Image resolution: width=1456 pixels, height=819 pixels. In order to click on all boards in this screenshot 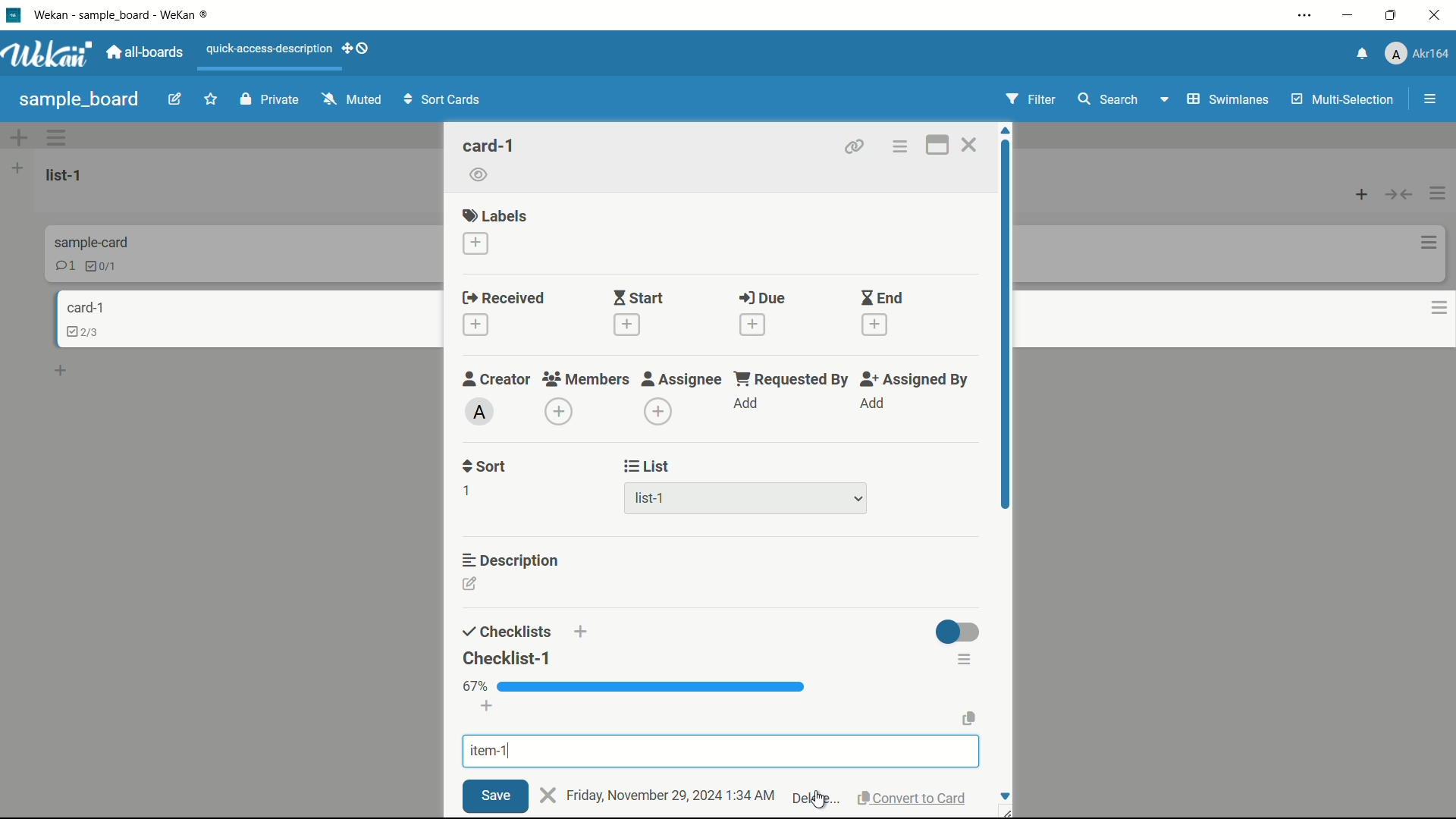, I will do `click(145, 54)`.